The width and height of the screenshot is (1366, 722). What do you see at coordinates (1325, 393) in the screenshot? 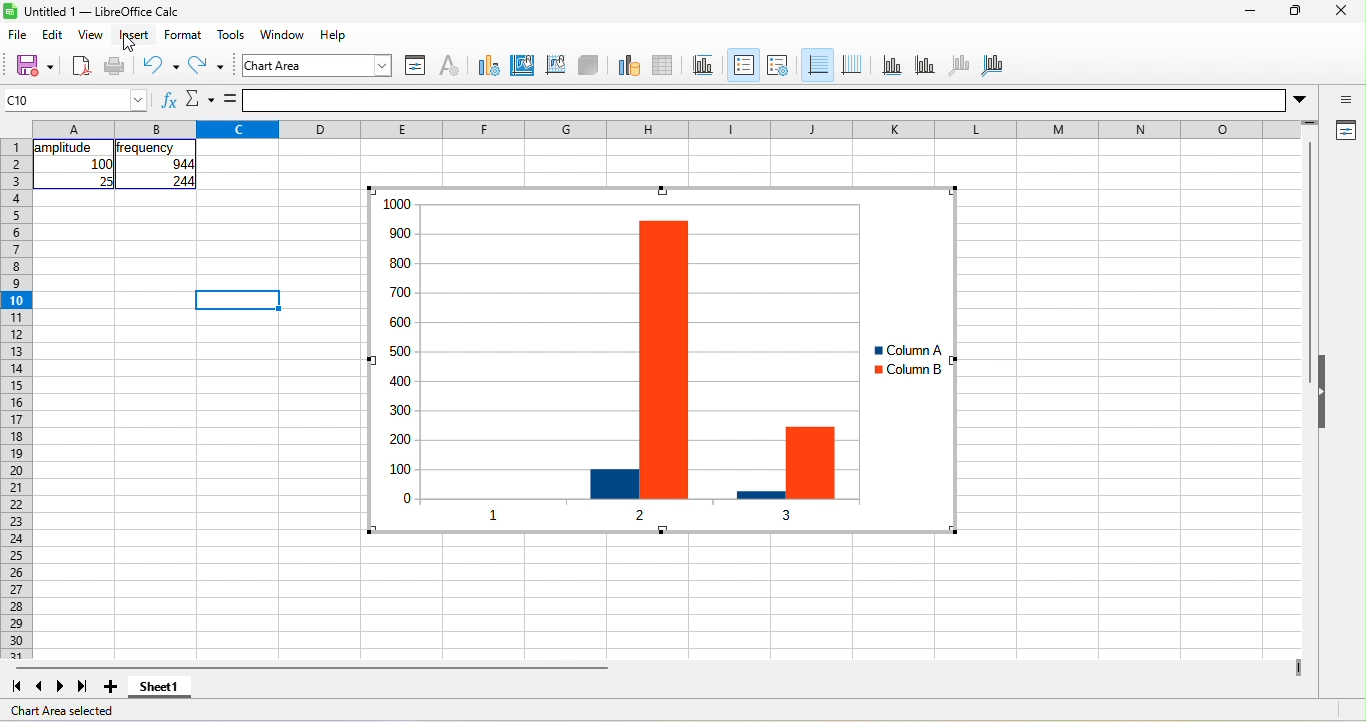
I see `hide ` at bounding box center [1325, 393].